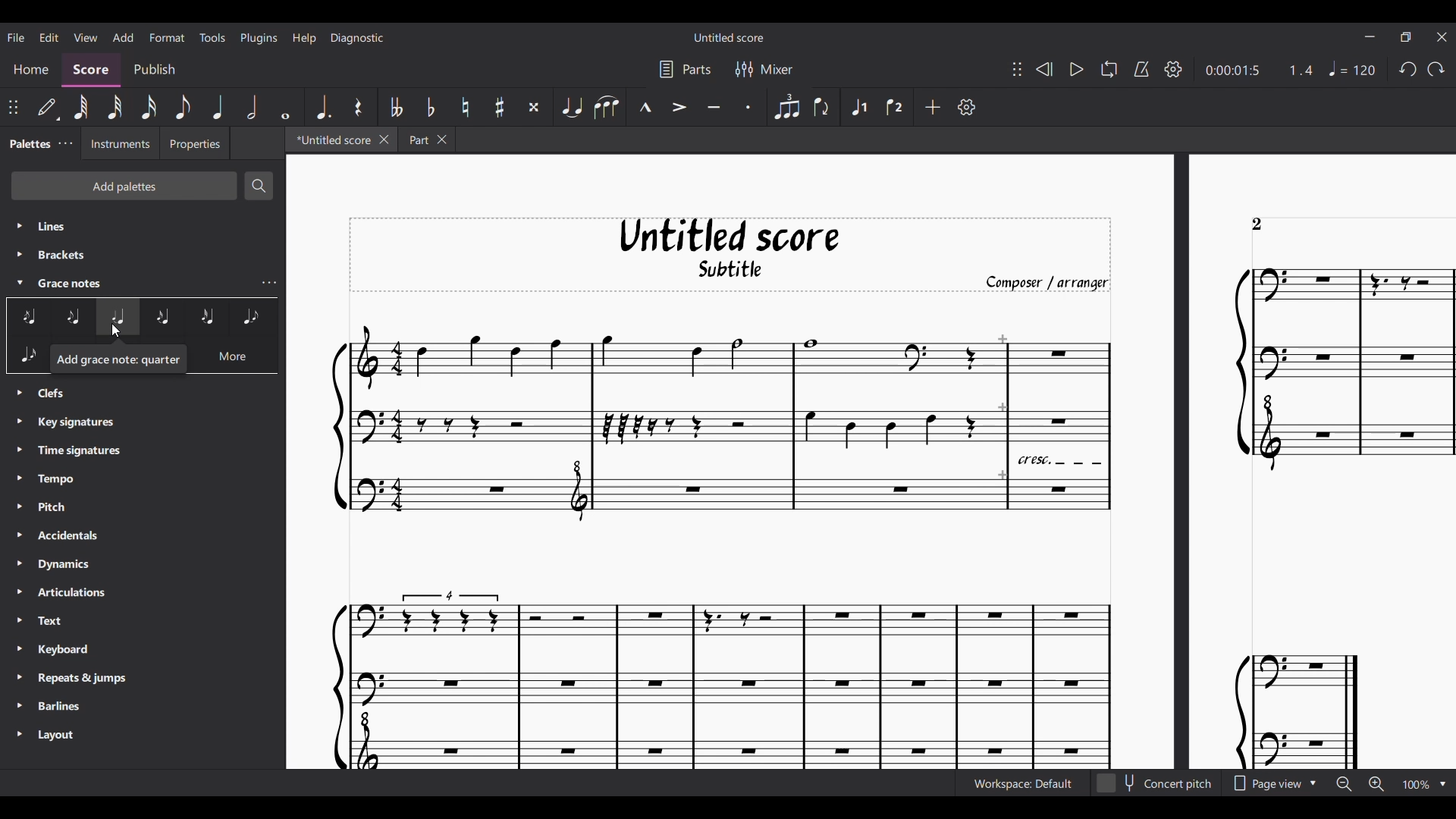  What do you see at coordinates (1043, 68) in the screenshot?
I see `Rewind` at bounding box center [1043, 68].